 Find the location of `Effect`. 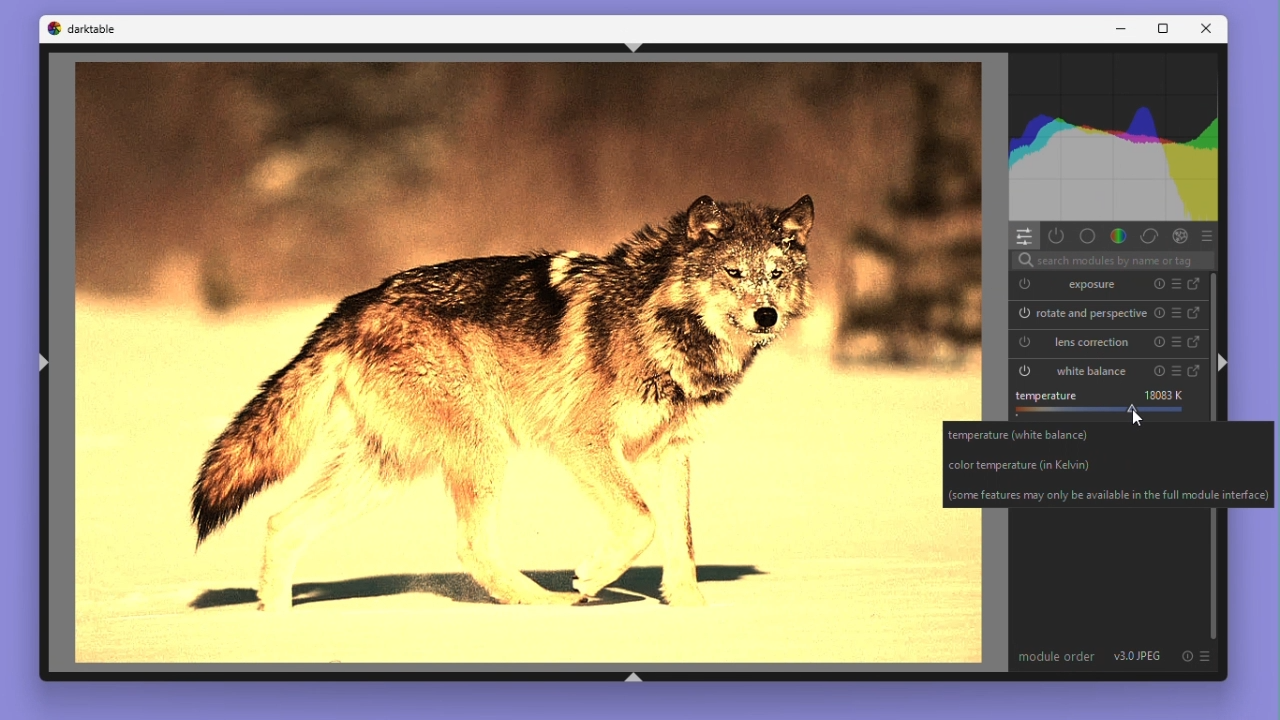

Effect is located at coordinates (1181, 235).